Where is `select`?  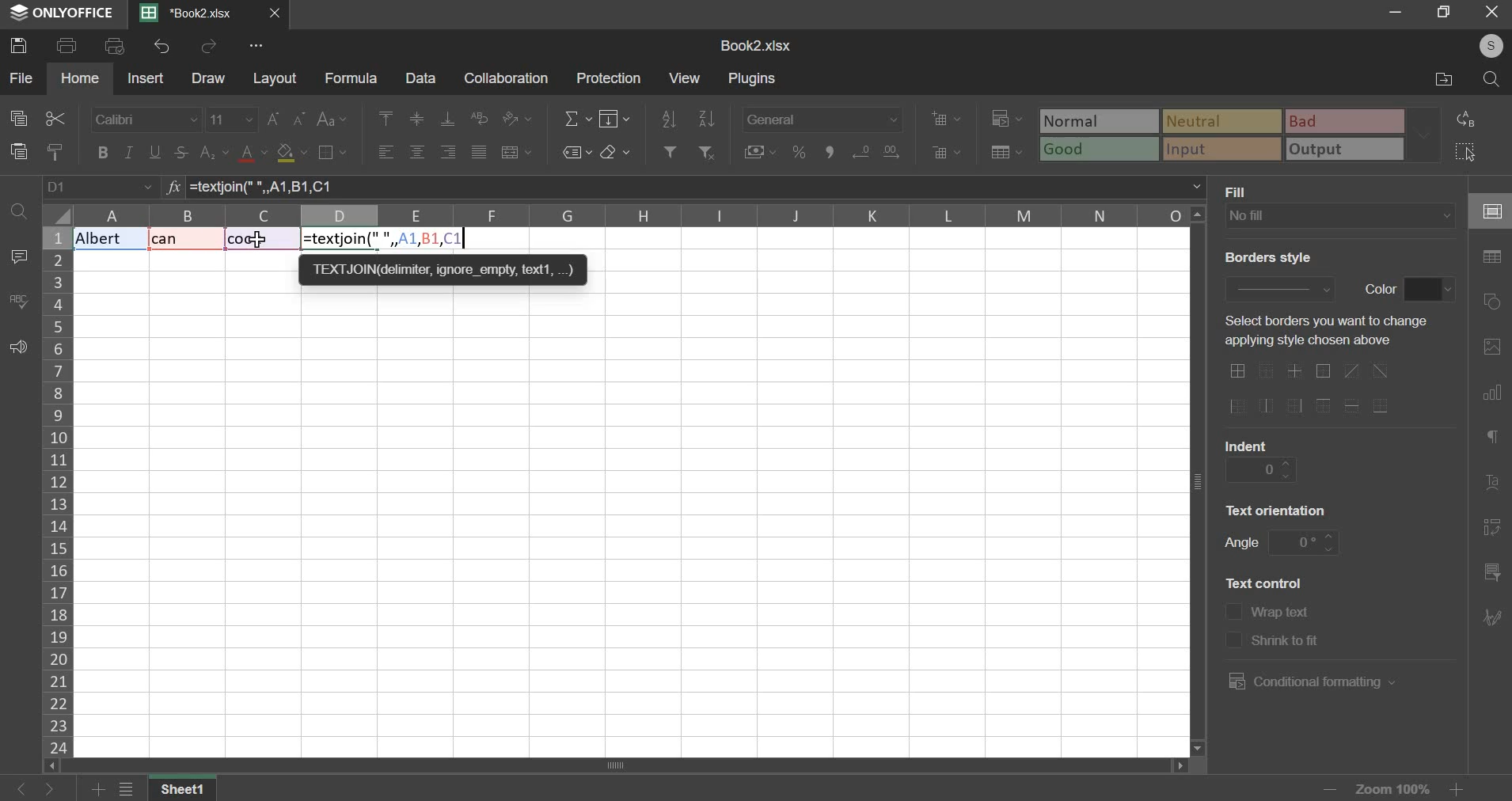 select is located at coordinates (1474, 152).